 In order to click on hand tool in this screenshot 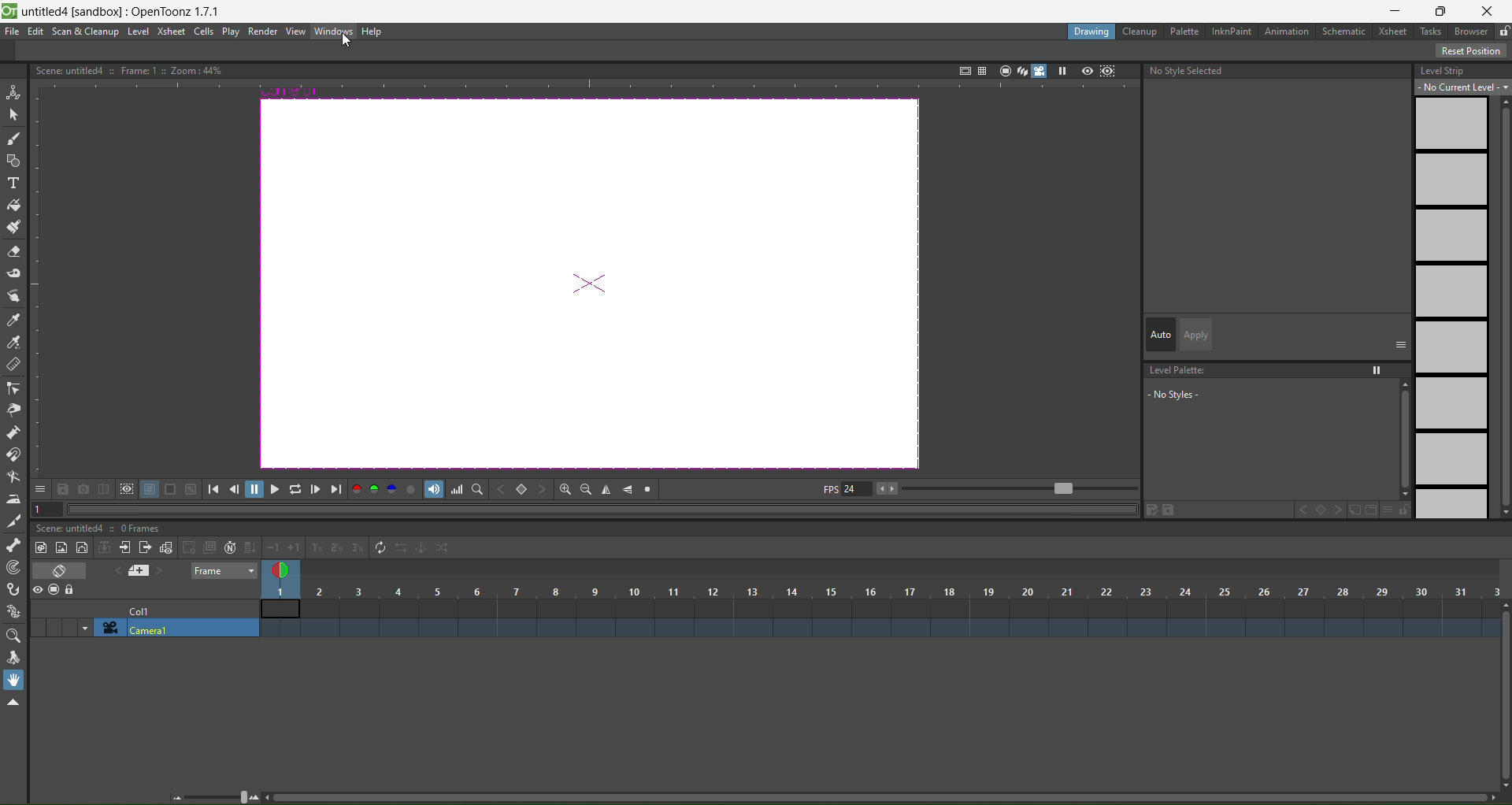, I will do `click(17, 680)`.